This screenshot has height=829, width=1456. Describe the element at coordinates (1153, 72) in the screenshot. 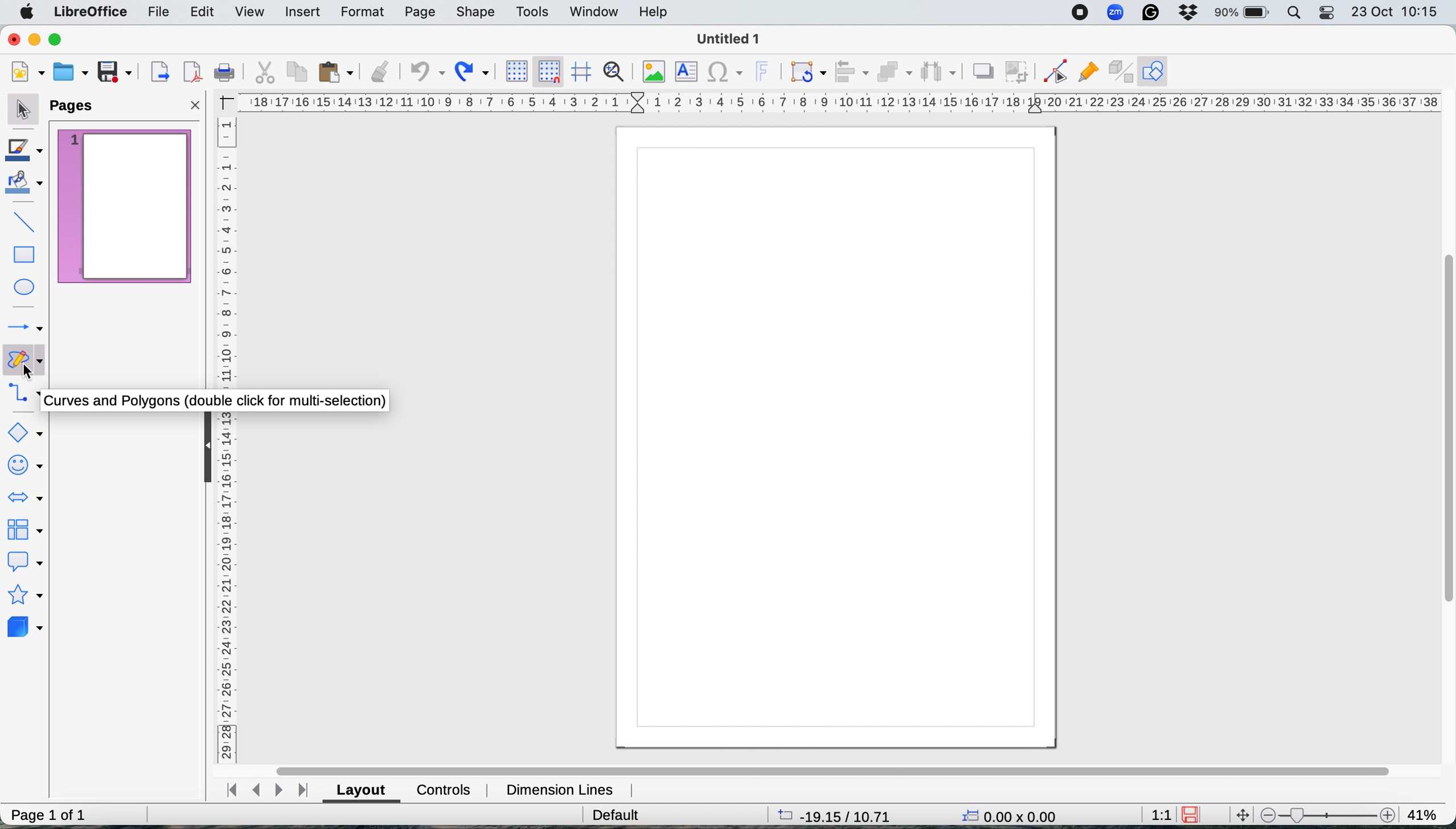

I see `show draw functions` at that location.